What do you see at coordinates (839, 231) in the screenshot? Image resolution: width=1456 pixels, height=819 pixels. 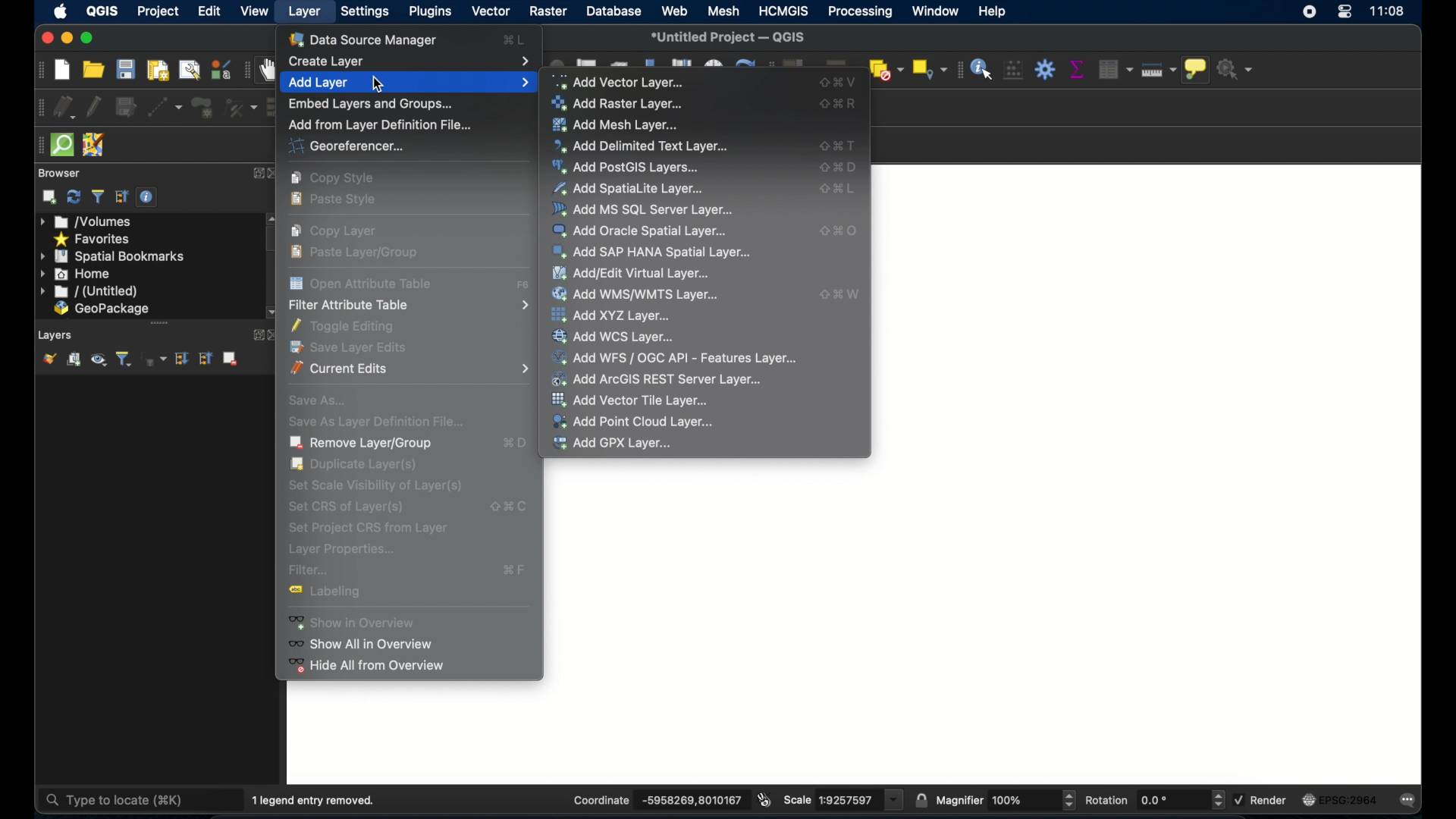 I see `add oracle spatial layer` at bounding box center [839, 231].